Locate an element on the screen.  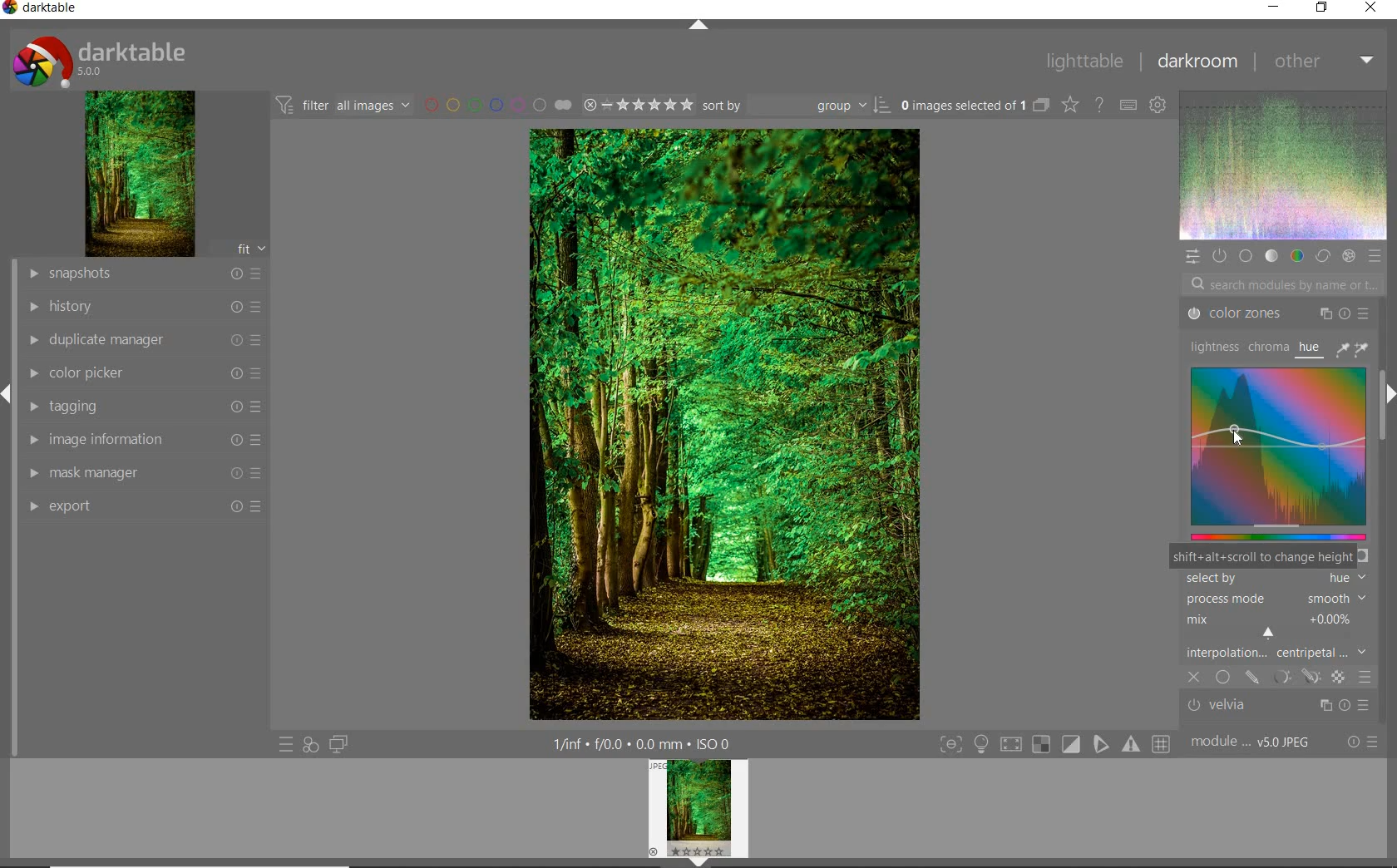
color picker tools is located at coordinates (1356, 348).